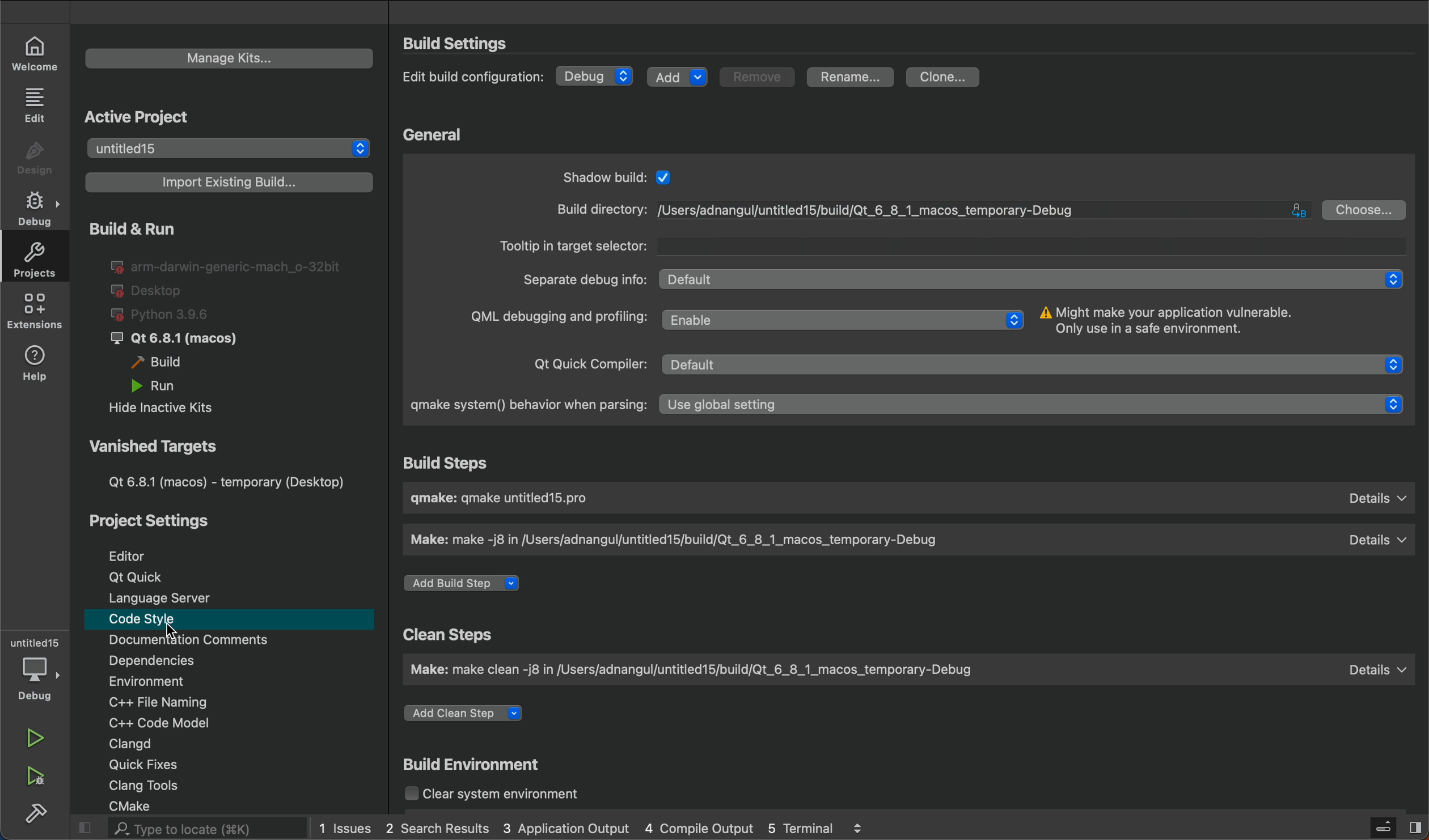 Image resolution: width=1429 pixels, height=840 pixels. I want to click on editor, so click(134, 553).